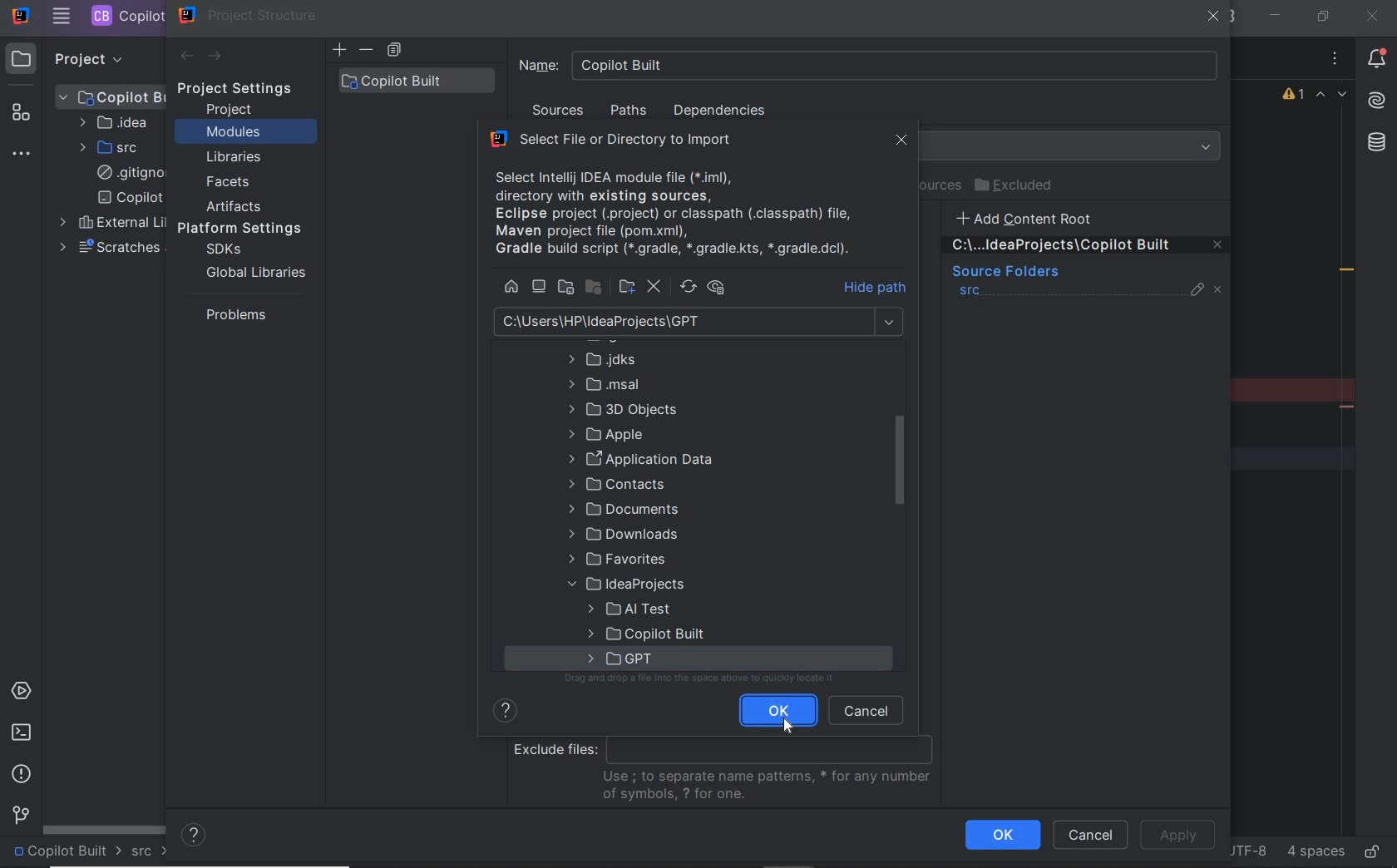 The height and width of the screenshot is (868, 1397). Describe the element at coordinates (1088, 248) in the screenshot. I see `remove content entry` at that location.